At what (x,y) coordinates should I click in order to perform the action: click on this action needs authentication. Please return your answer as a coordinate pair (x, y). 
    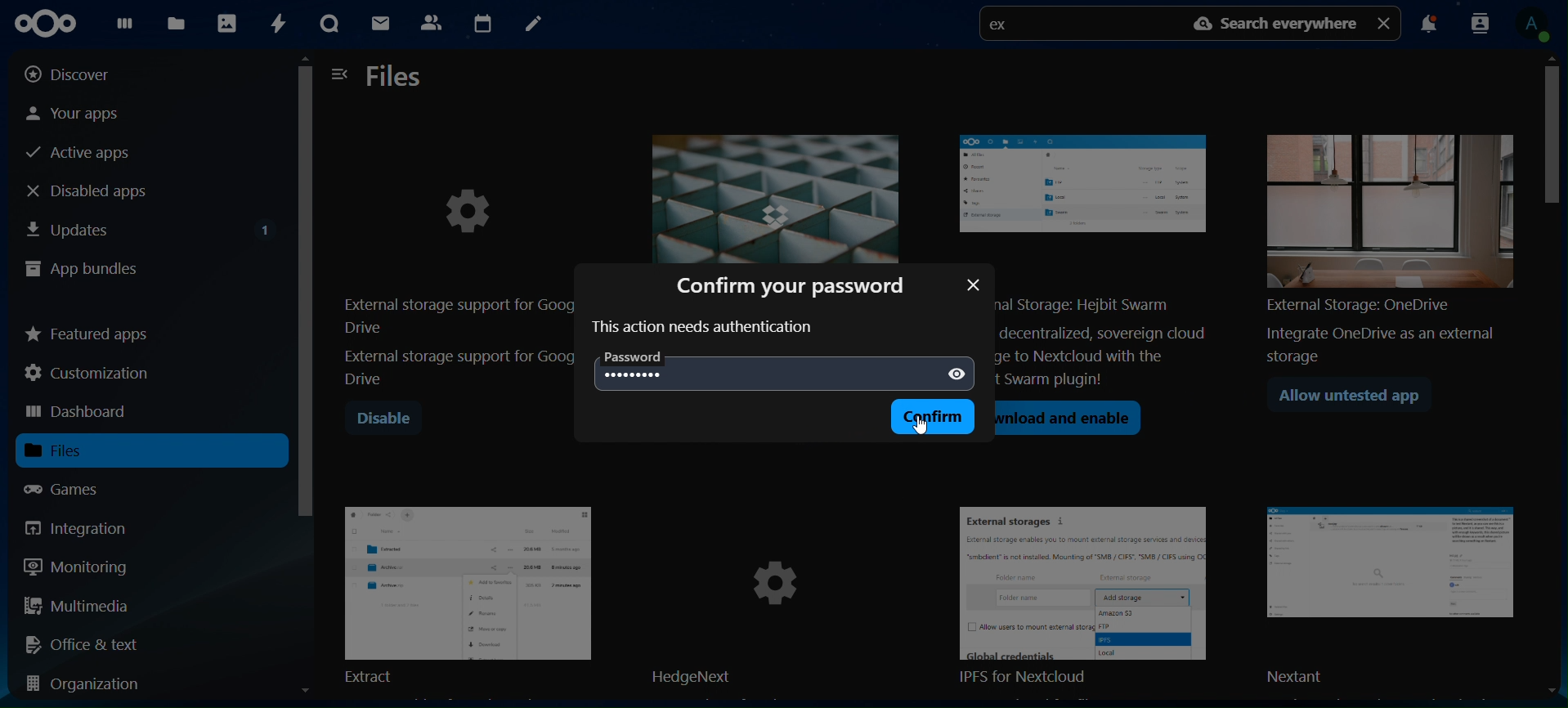
    Looking at the image, I should click on (705, 327).